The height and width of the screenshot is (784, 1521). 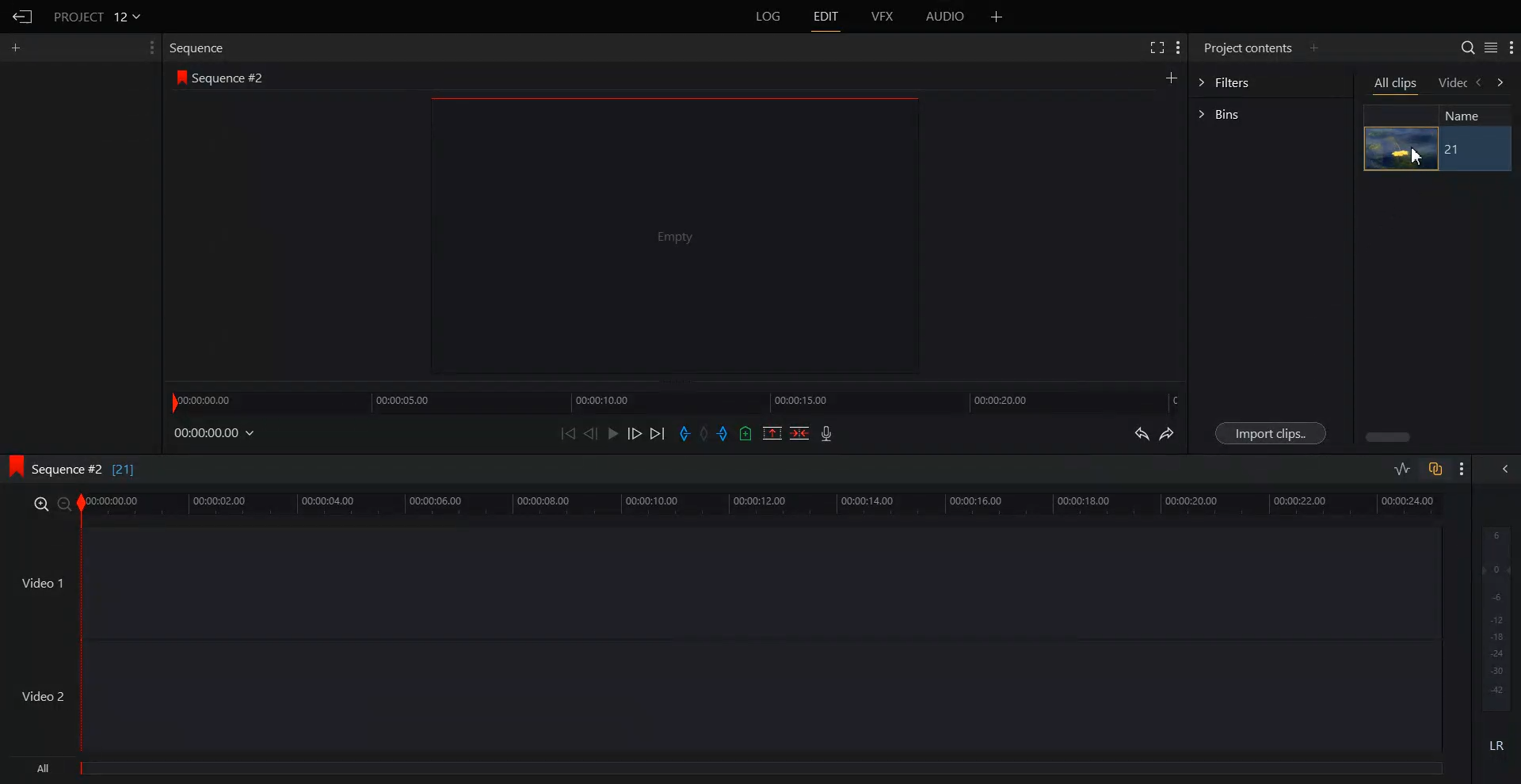 I want to click on Go Back, so click(x=22, y=16).